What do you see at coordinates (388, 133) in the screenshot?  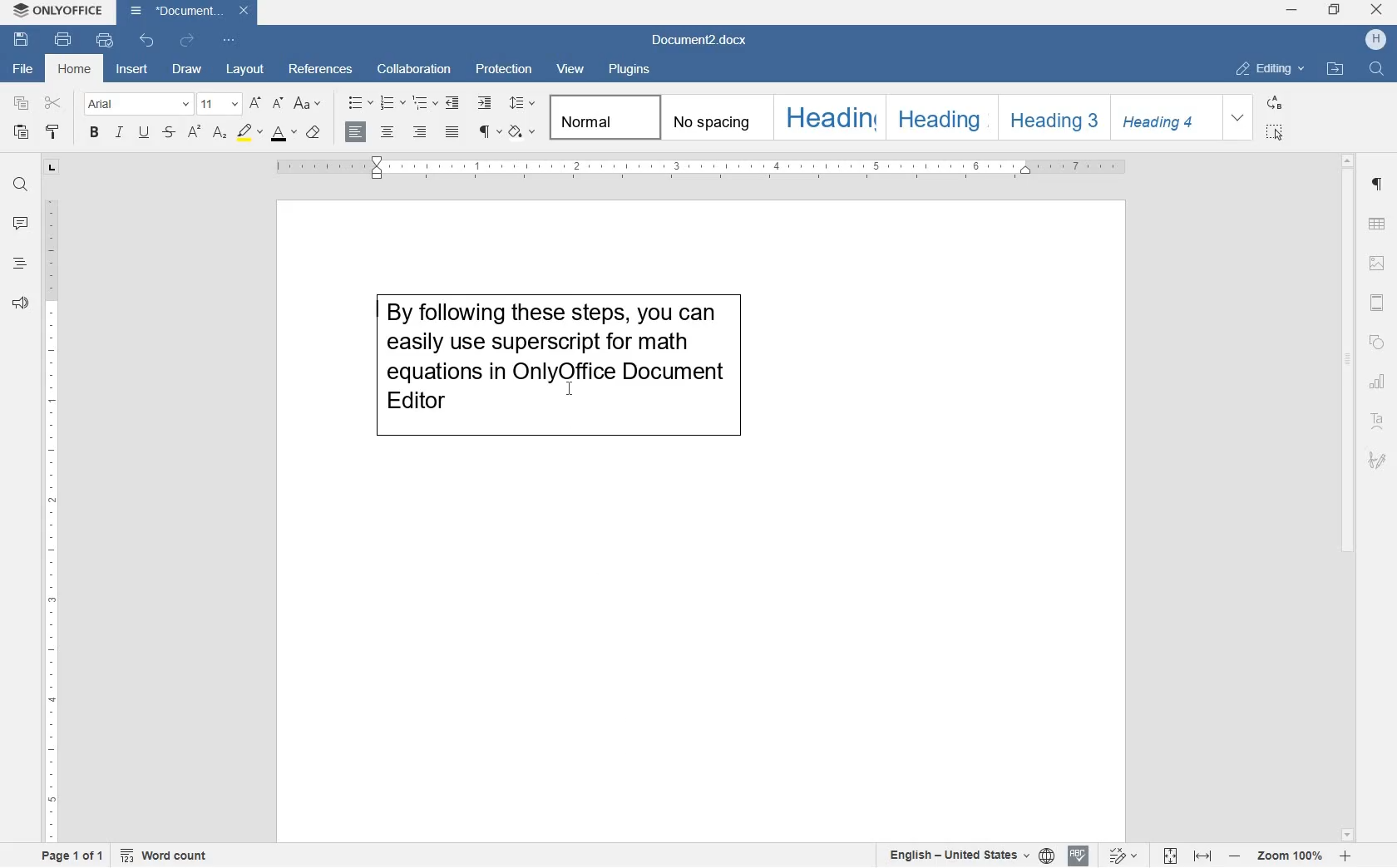 I see `center alignment` at bounding box center [388, 133].